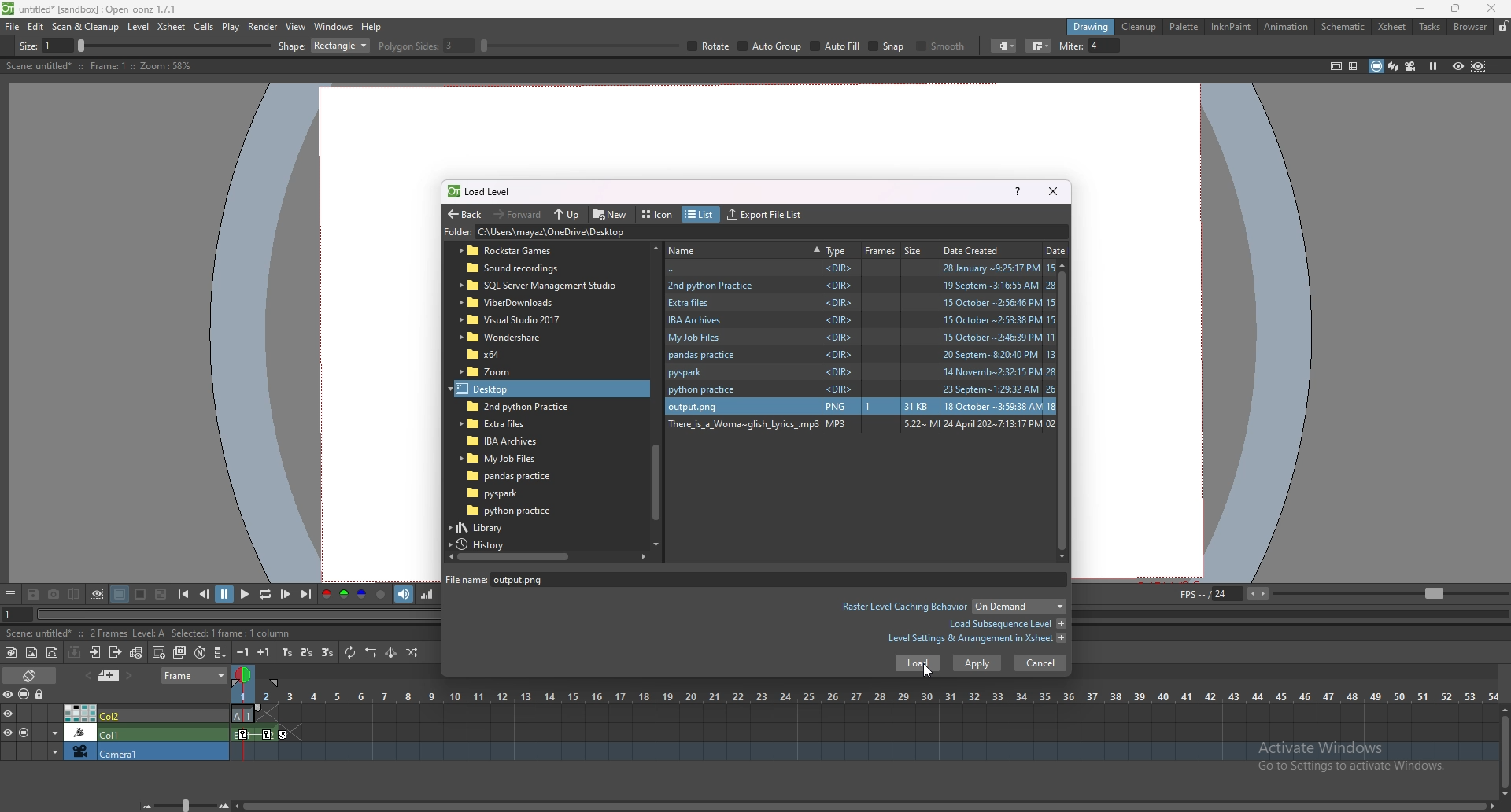 The height and width of the screenshot is (812, 1511). What do you see at coordinates (1026, 46) in the screenshot?
I see `rotate` at bounding box center [1026, 46].